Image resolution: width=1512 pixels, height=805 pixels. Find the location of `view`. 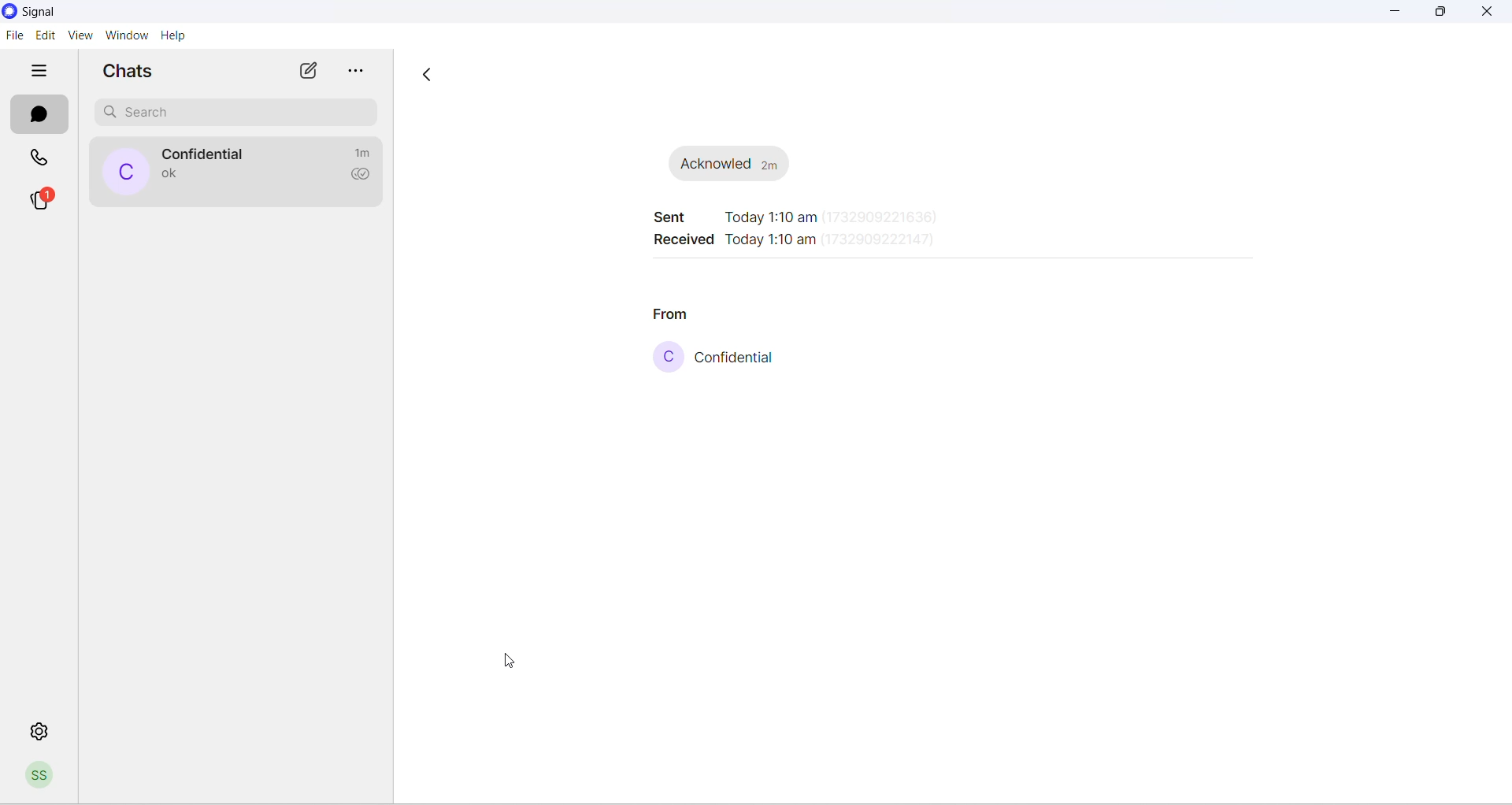

view is located at coordinates (78, 35).